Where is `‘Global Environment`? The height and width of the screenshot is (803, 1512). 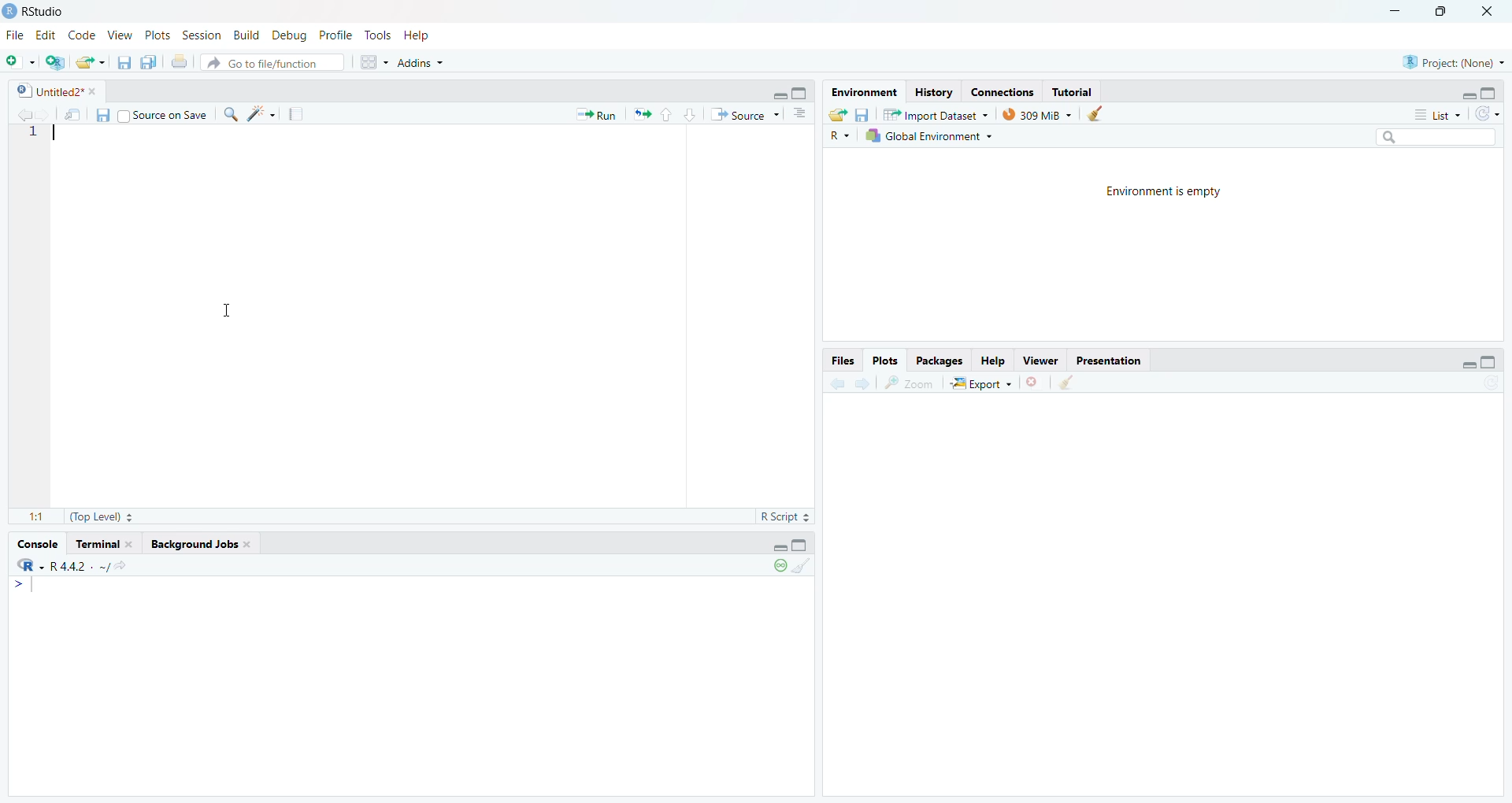
‘Global Environment is located at coordinates (930, 135).